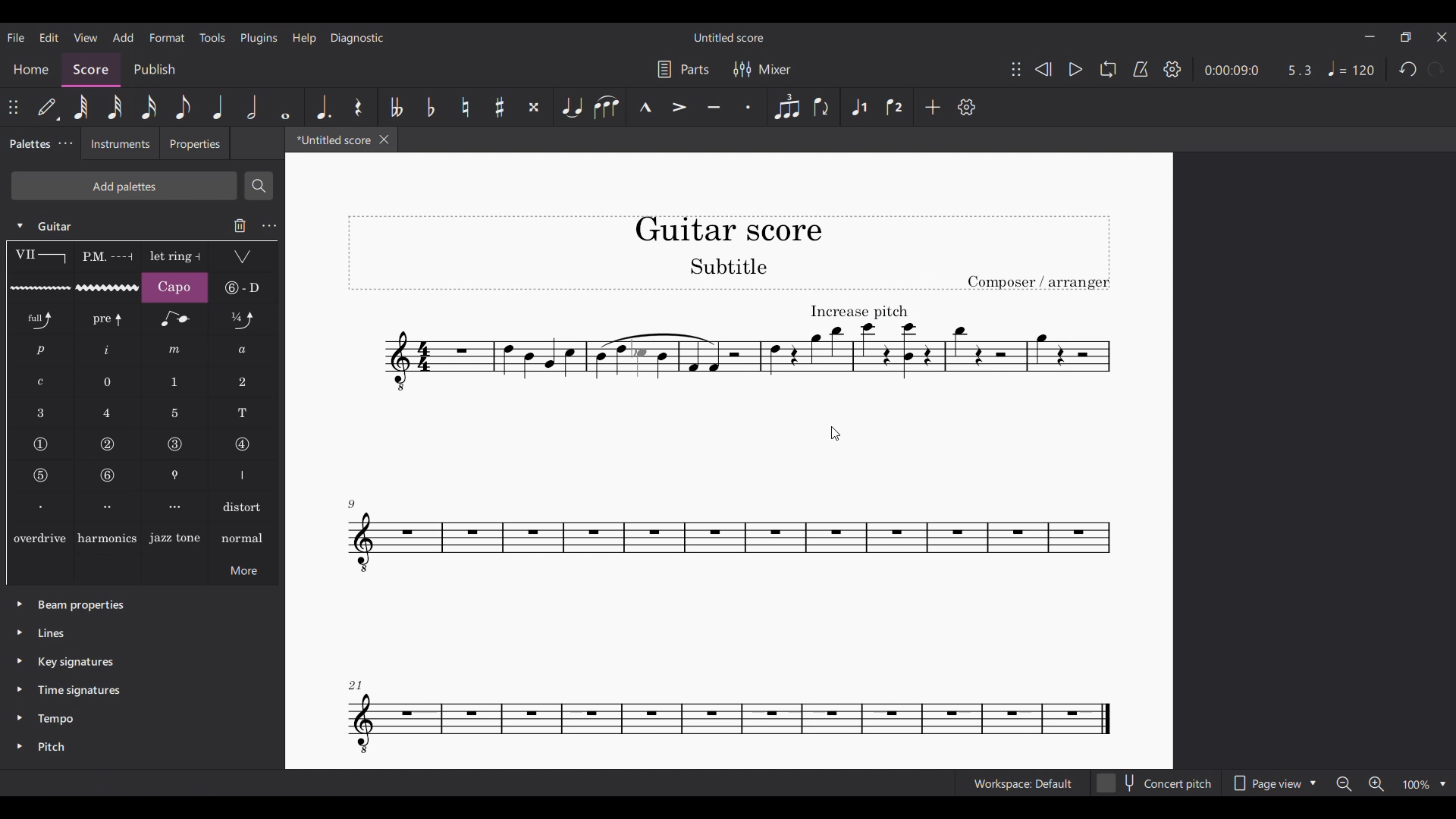  What do you see at coordinates (762, 69) in the screenshot?
I see `Mixer settings` at bounding box center [762, 69].